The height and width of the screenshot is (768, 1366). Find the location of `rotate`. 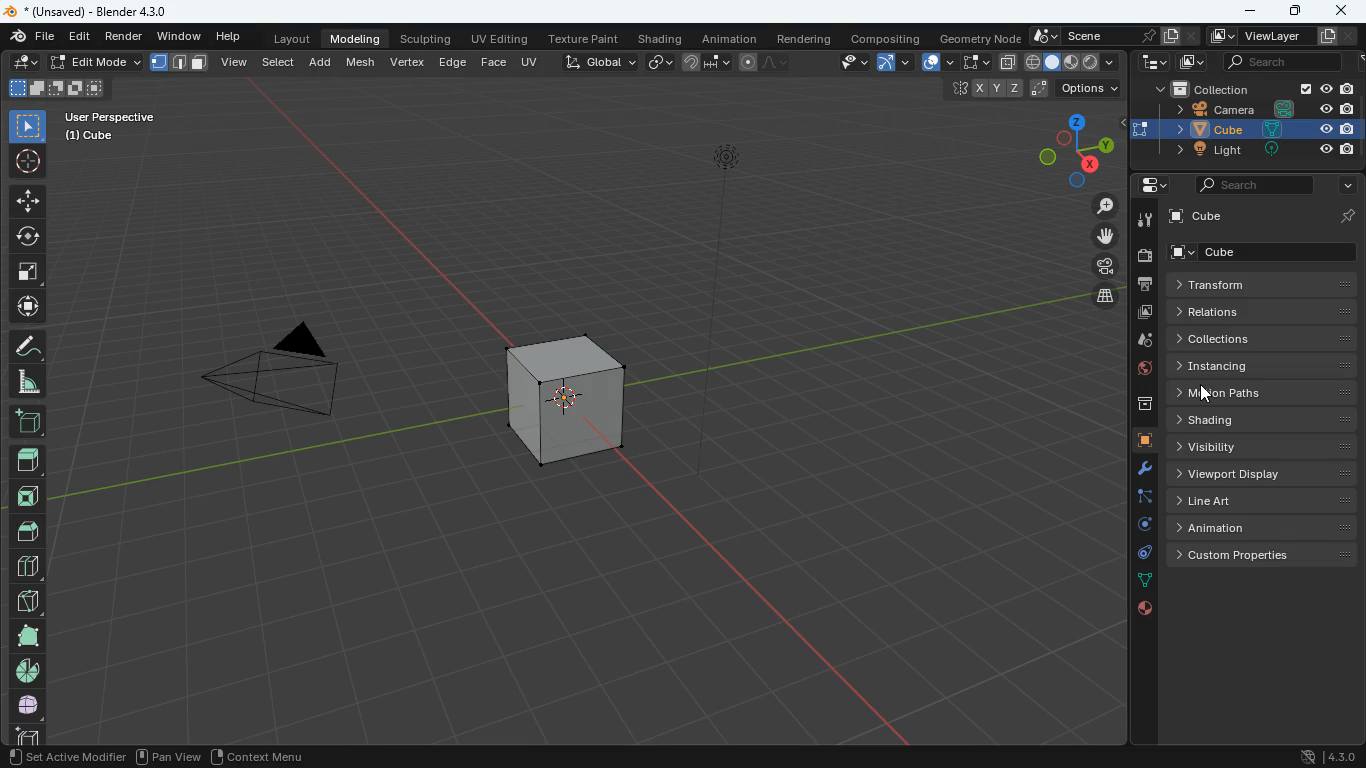

rotate is located at coordinates (28, 234).